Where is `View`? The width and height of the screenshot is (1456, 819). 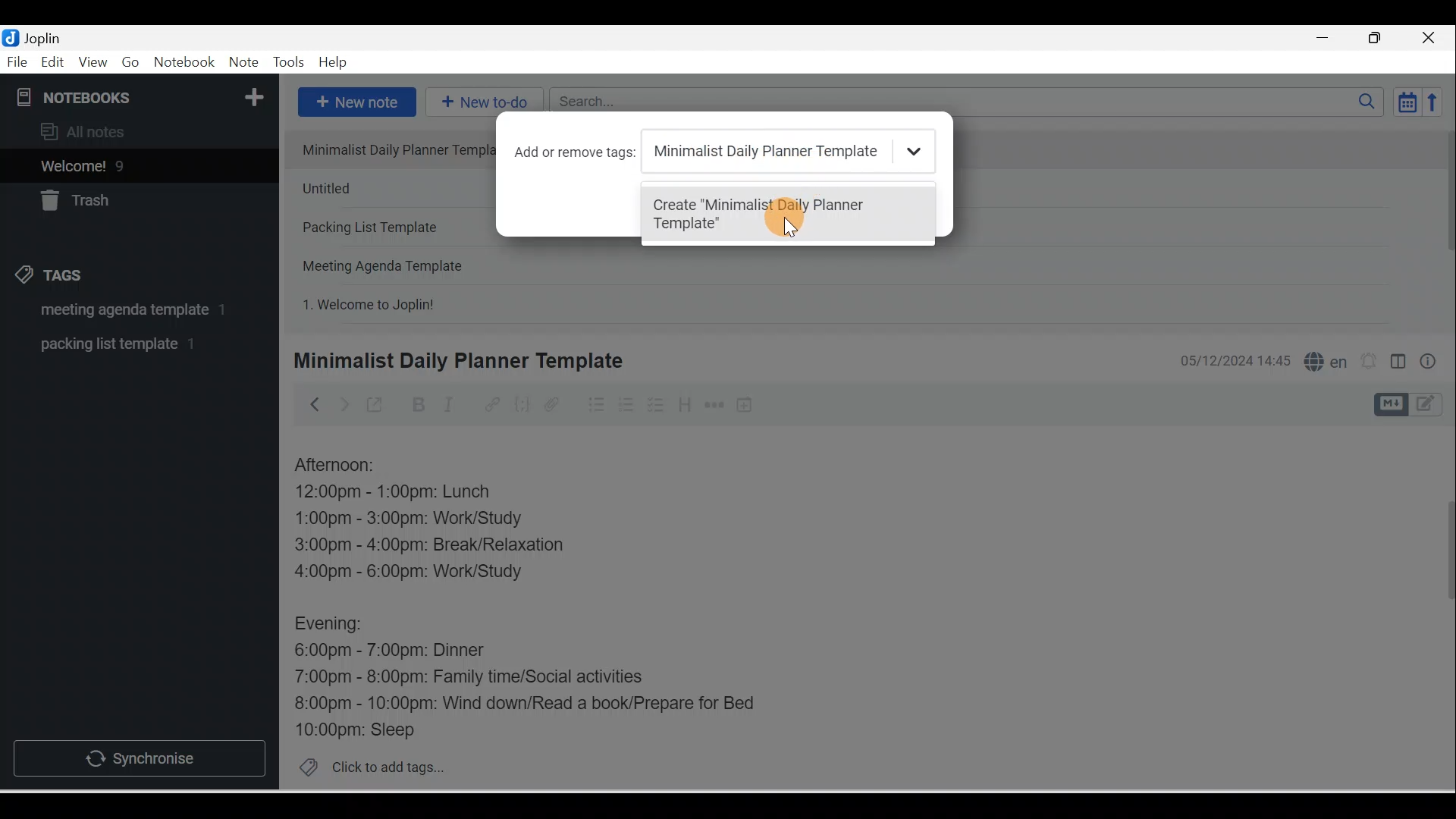
View is located at coordinates (93, 63).